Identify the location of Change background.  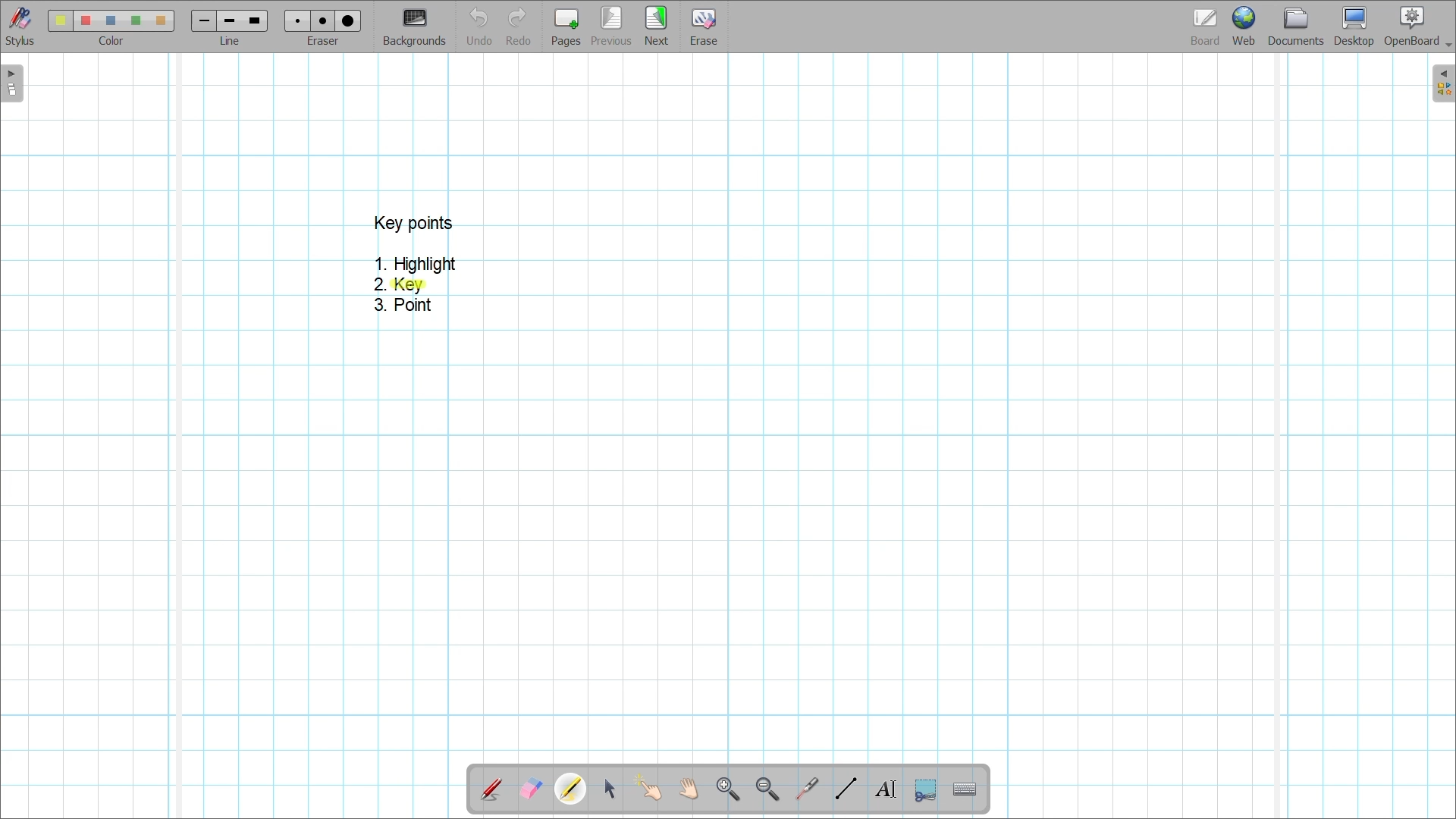
(414, 27).